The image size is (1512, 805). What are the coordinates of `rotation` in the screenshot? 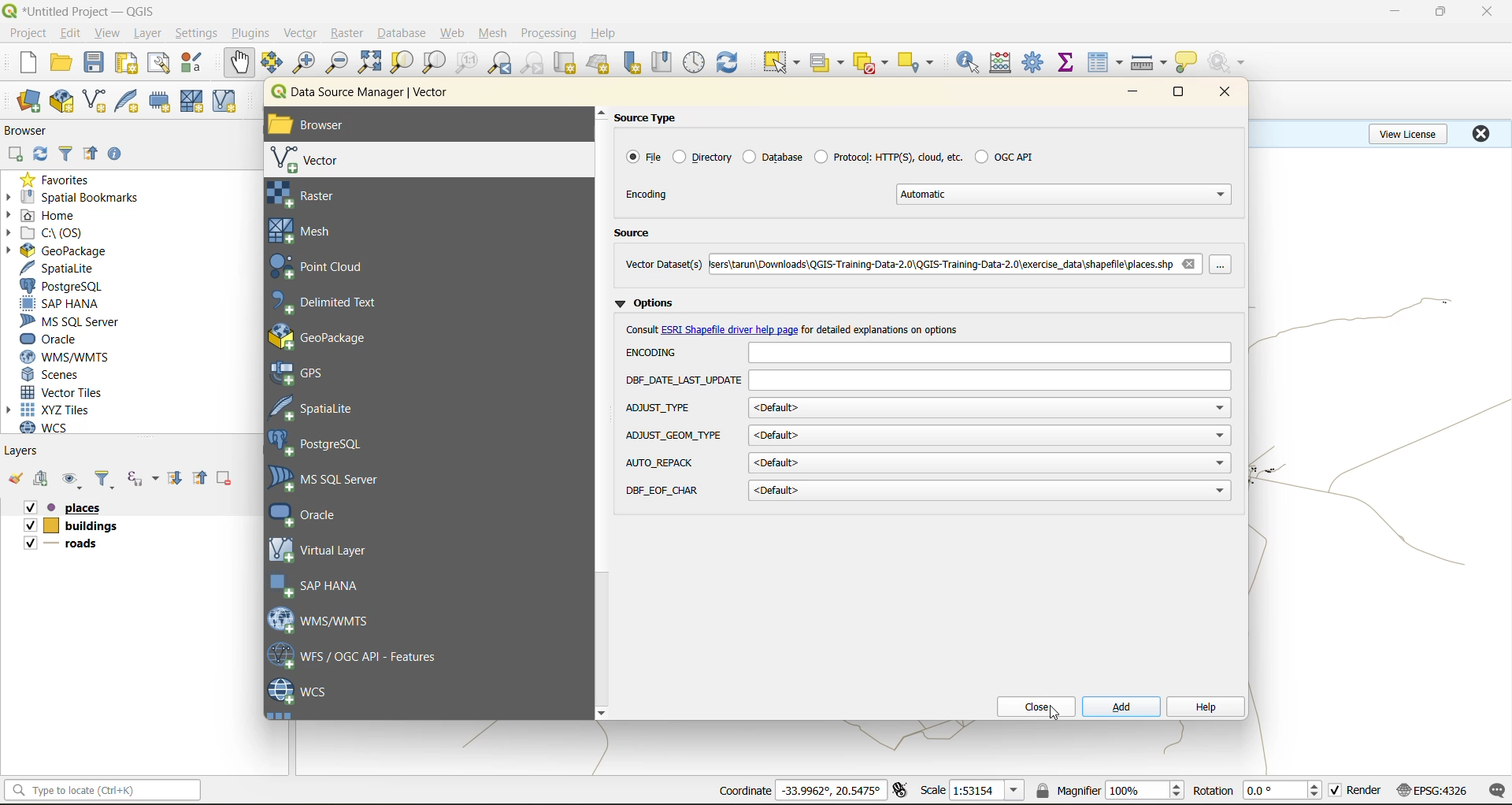 It's located at (1285, 791).